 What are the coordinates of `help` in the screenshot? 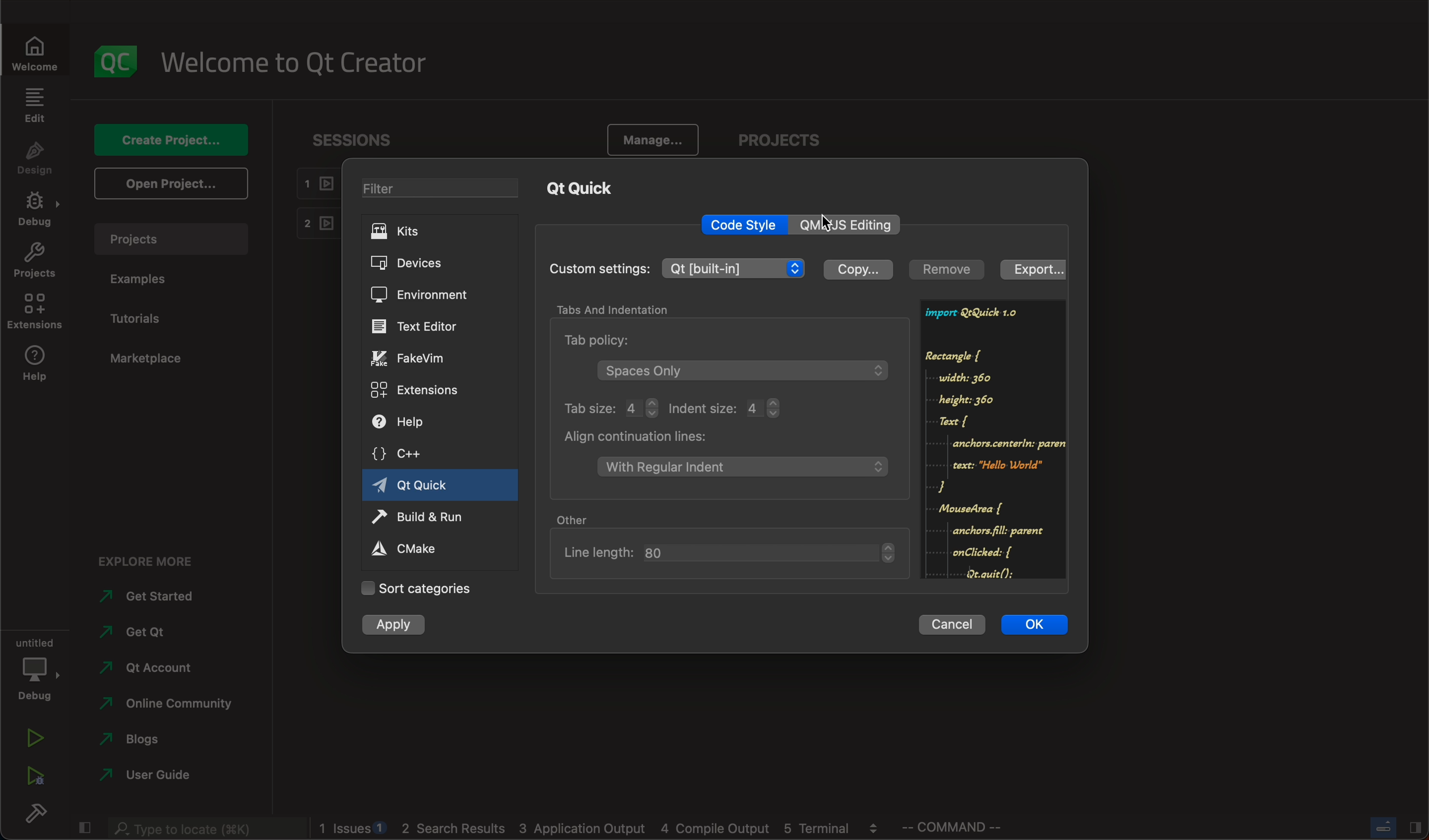 It's located at (35, 366).